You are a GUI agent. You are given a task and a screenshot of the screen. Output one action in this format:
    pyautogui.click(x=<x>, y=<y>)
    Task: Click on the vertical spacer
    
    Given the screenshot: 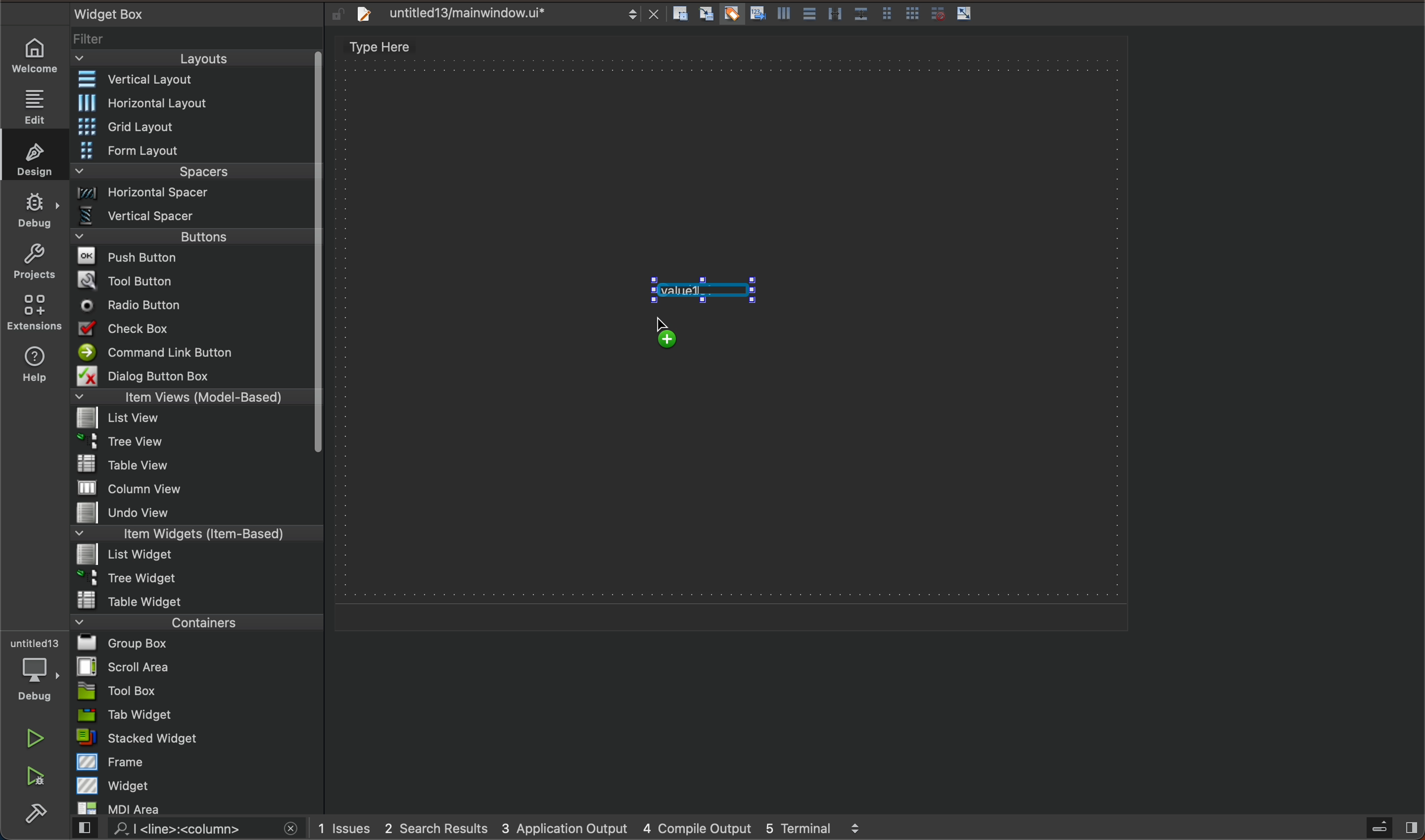 What is the action you would take?
    pyautogui.click(x=192, y=218)
    